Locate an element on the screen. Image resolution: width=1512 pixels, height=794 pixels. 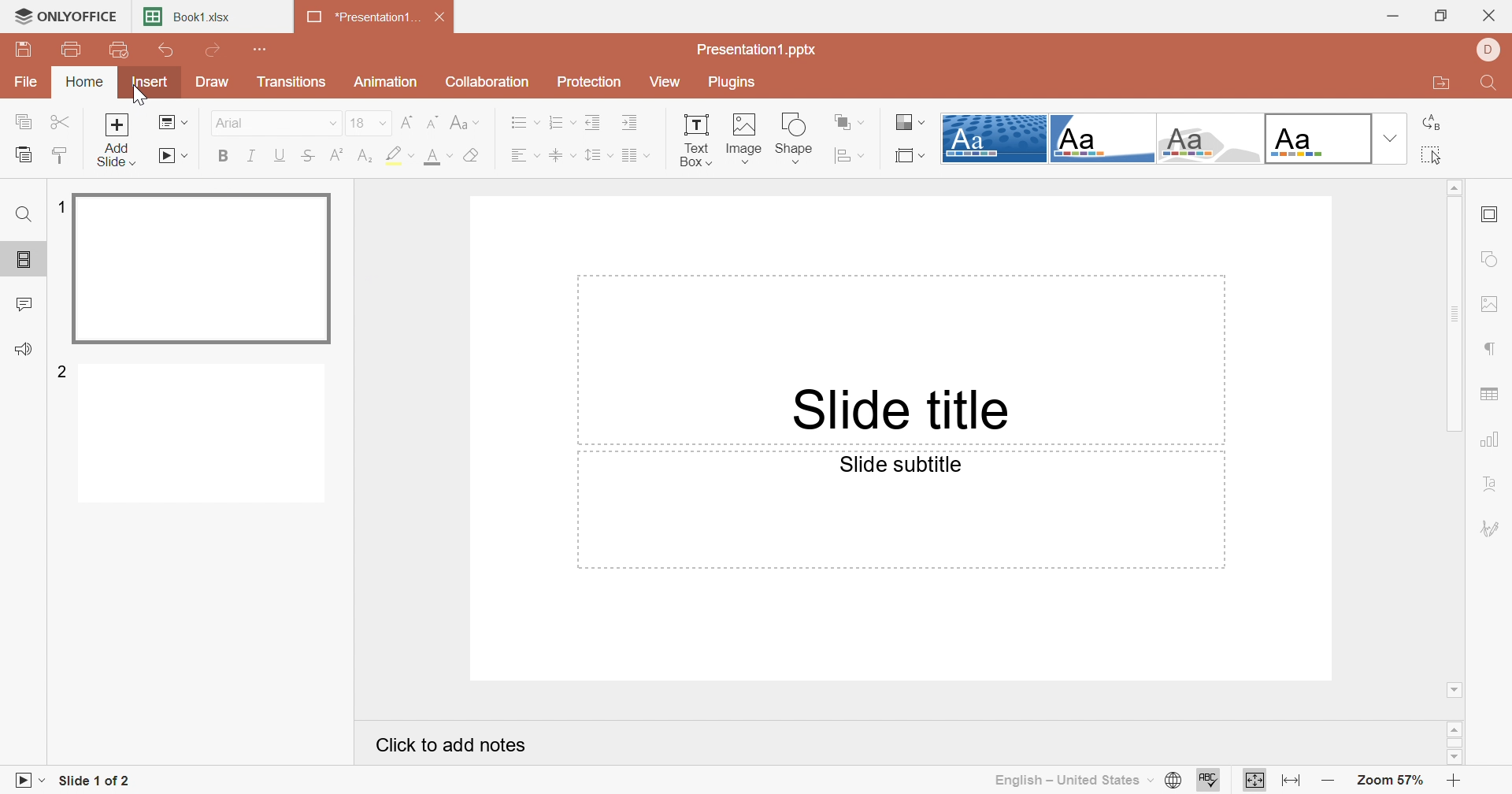
Fit to width is located at coordinates (1292, 781).